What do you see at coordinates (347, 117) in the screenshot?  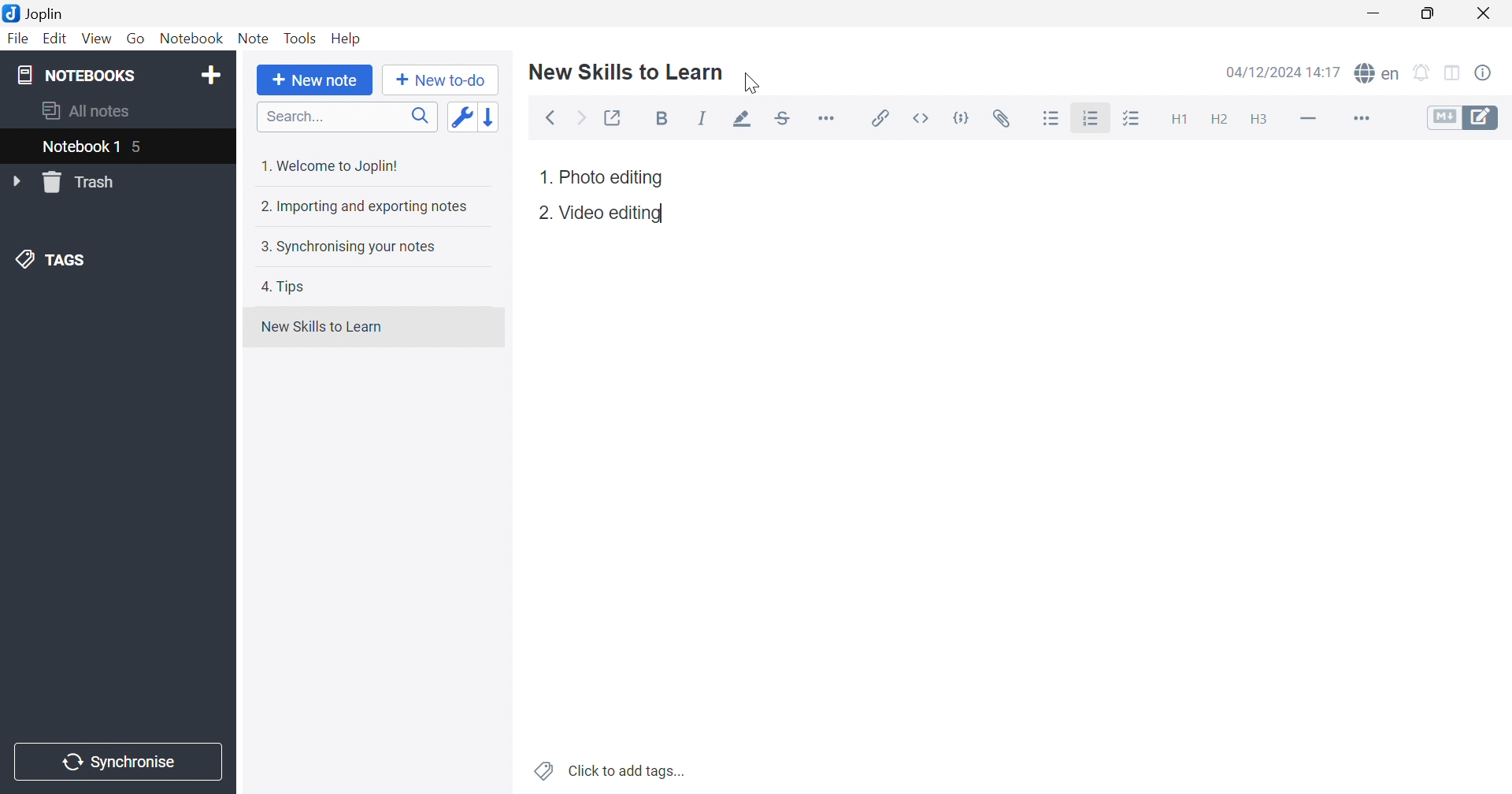 I see `Search...` at bounding box center [347, 117].